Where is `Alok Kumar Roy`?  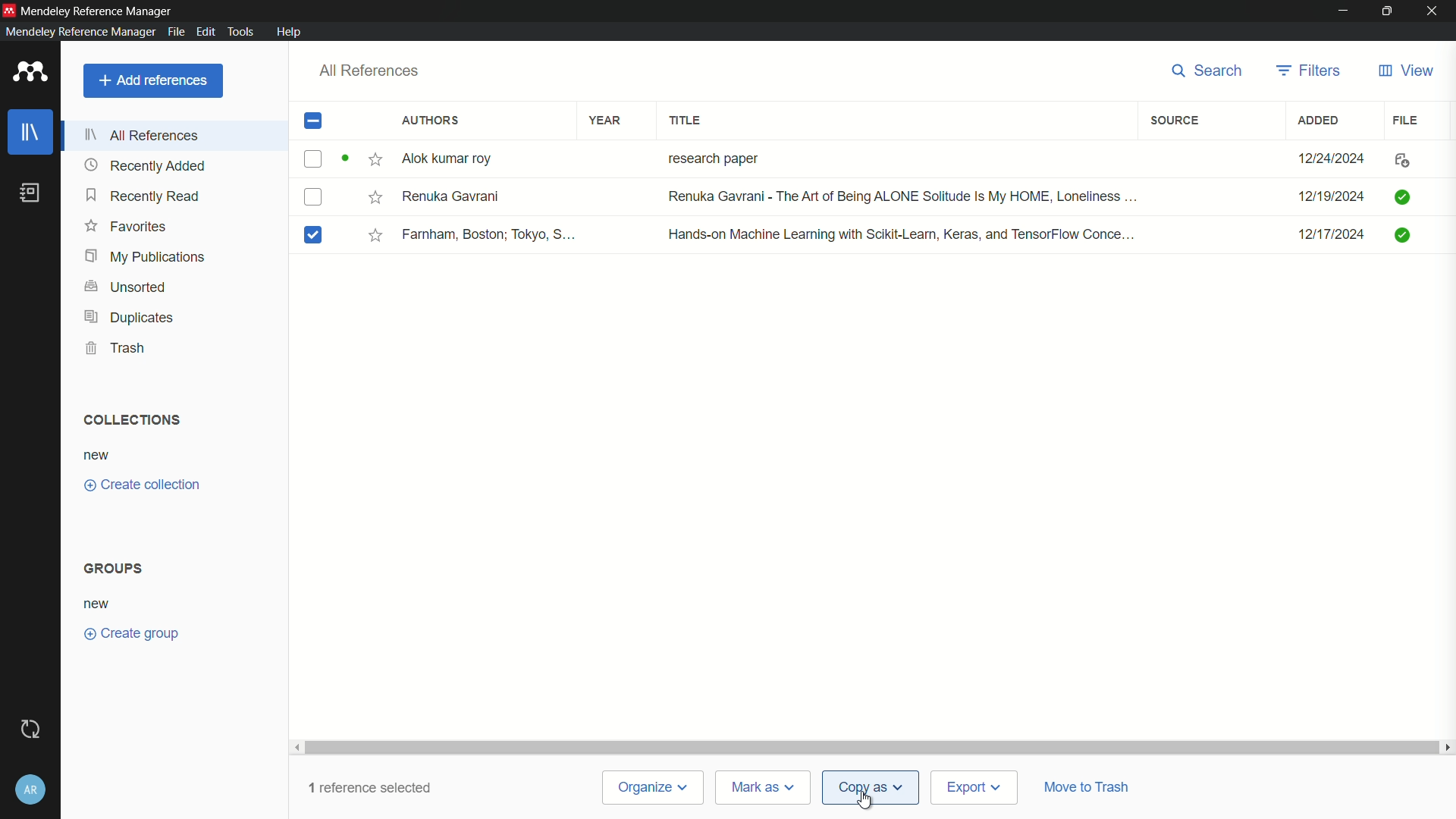 Alok Kumar Roy is located at coordinates (458, 158).